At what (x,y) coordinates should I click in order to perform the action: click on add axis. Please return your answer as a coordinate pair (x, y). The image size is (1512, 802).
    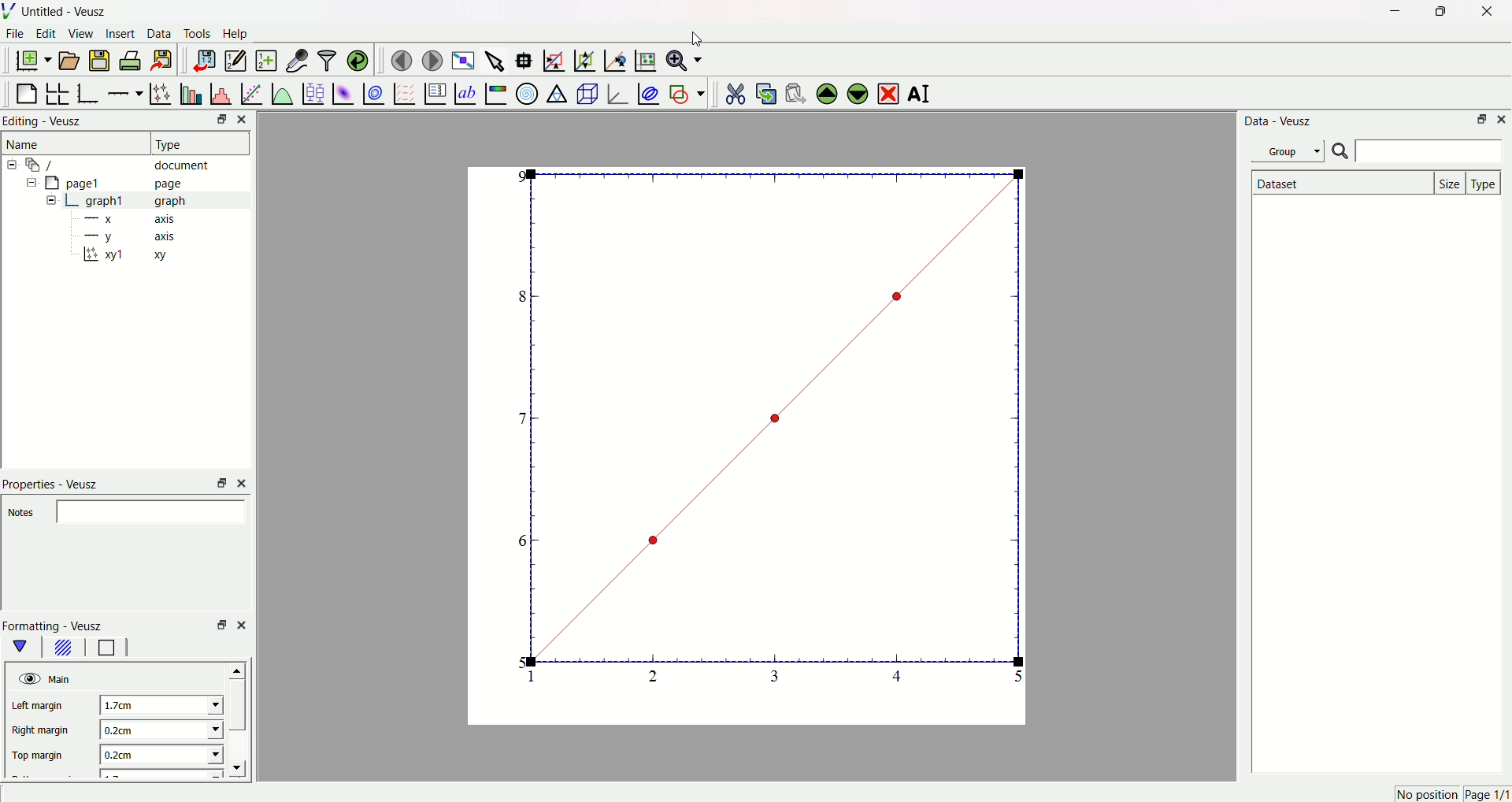
    Looking at the image, I should click on (125, 91).